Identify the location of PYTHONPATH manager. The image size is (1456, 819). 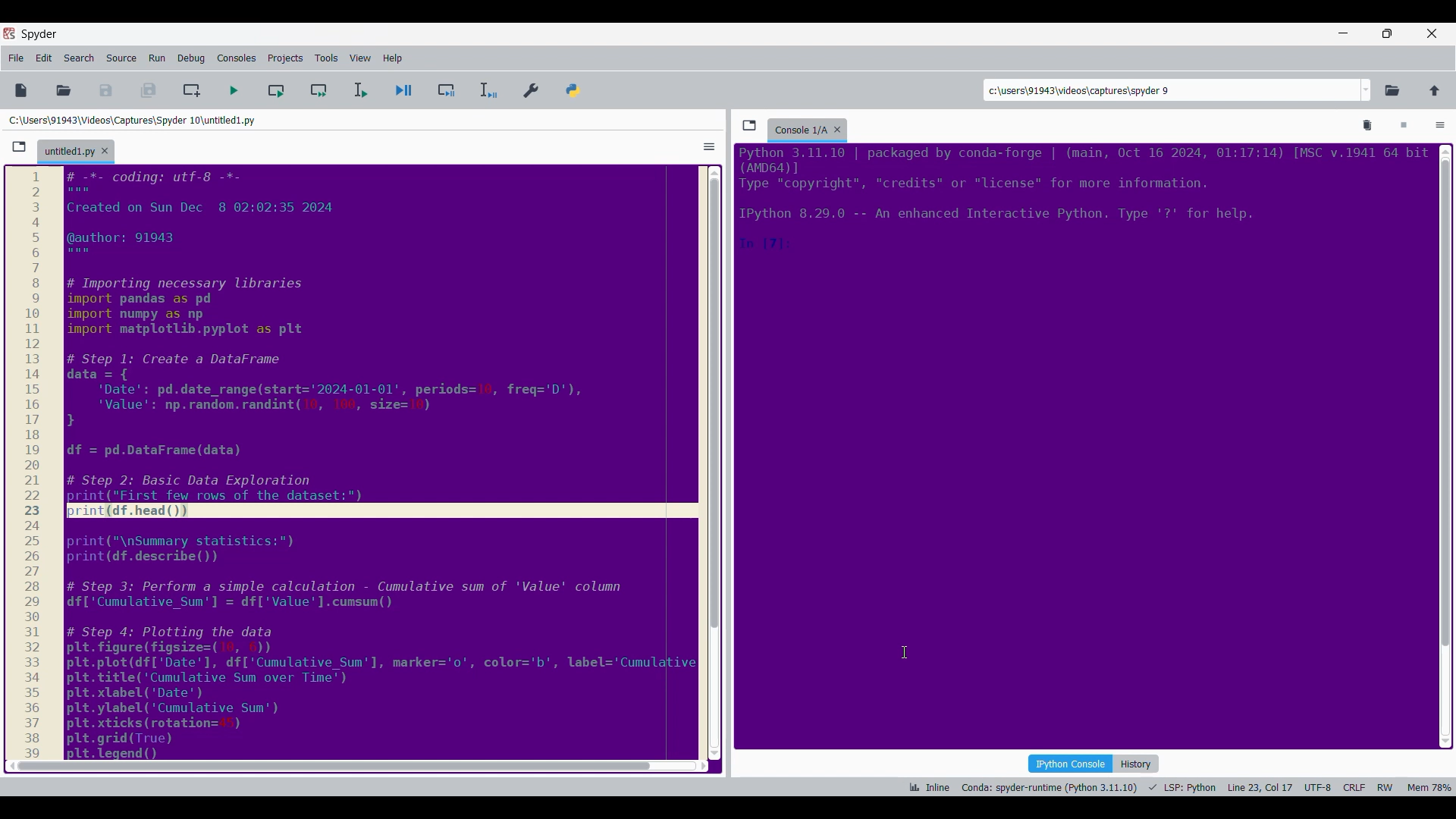
(576, 87).